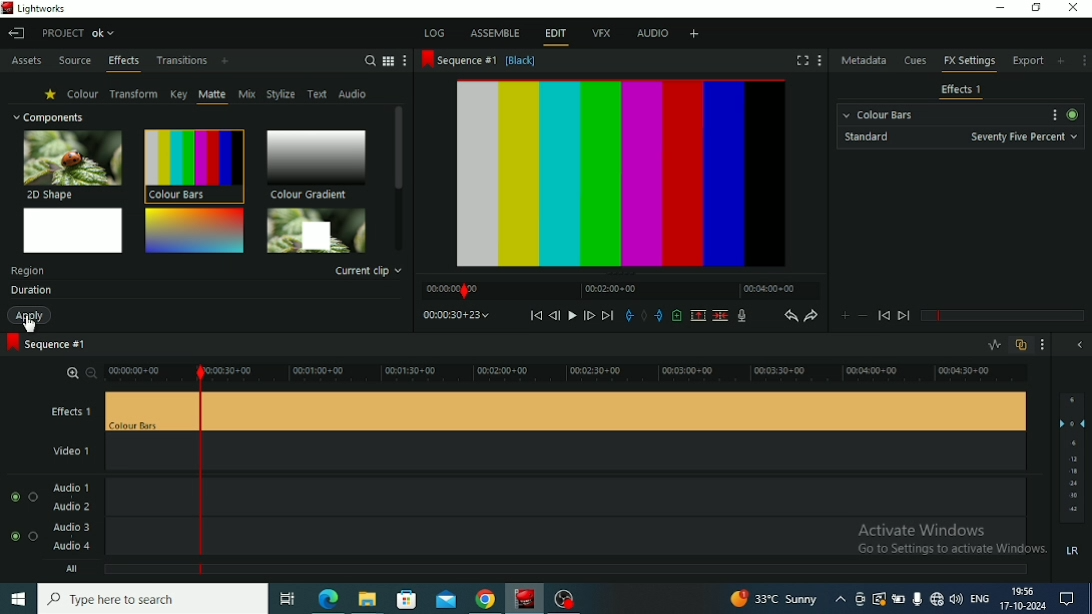  I want to click on Remove keyframe (s) from the current position, so click(862, 317).